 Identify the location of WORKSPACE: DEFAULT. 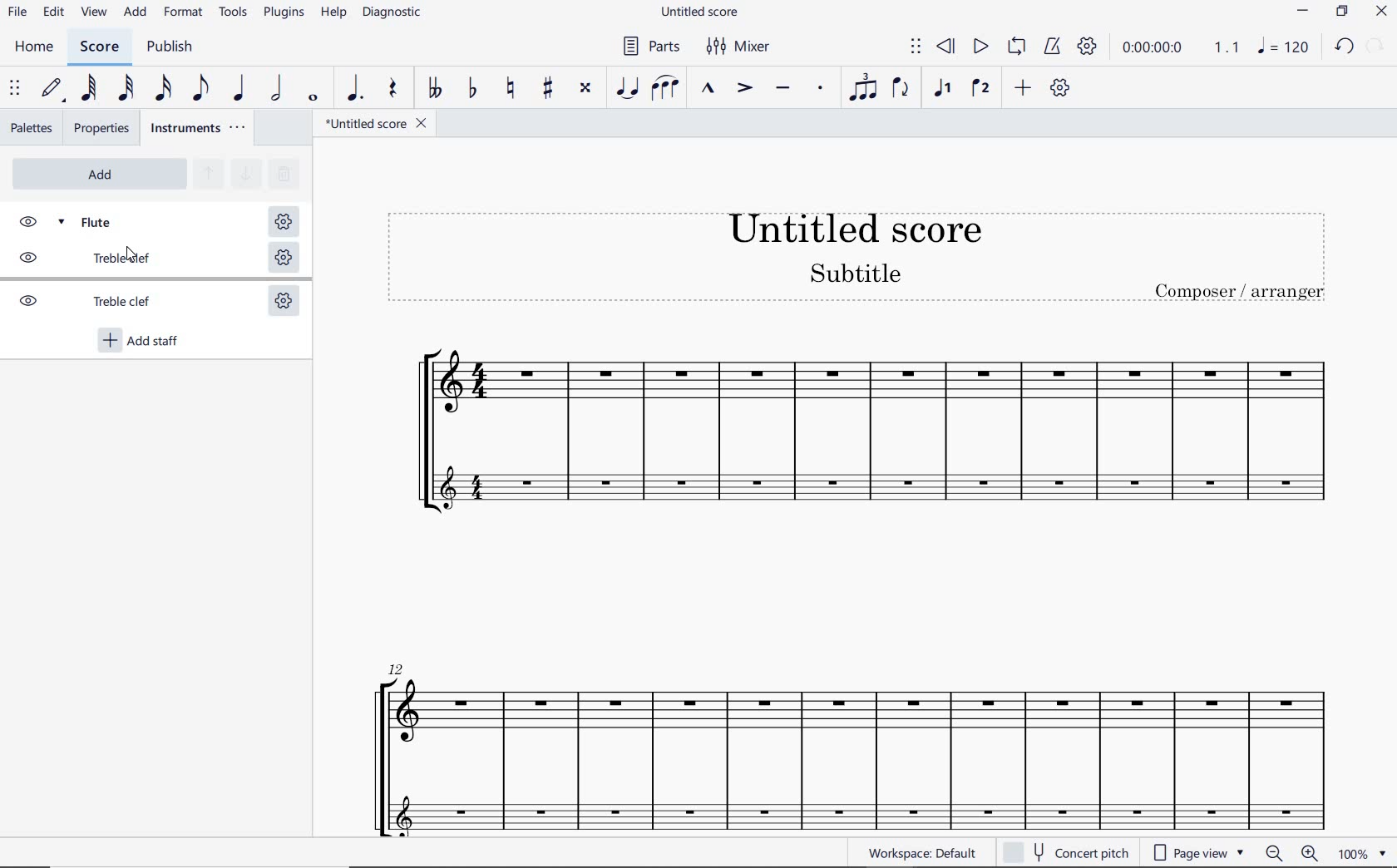
(926, 853).